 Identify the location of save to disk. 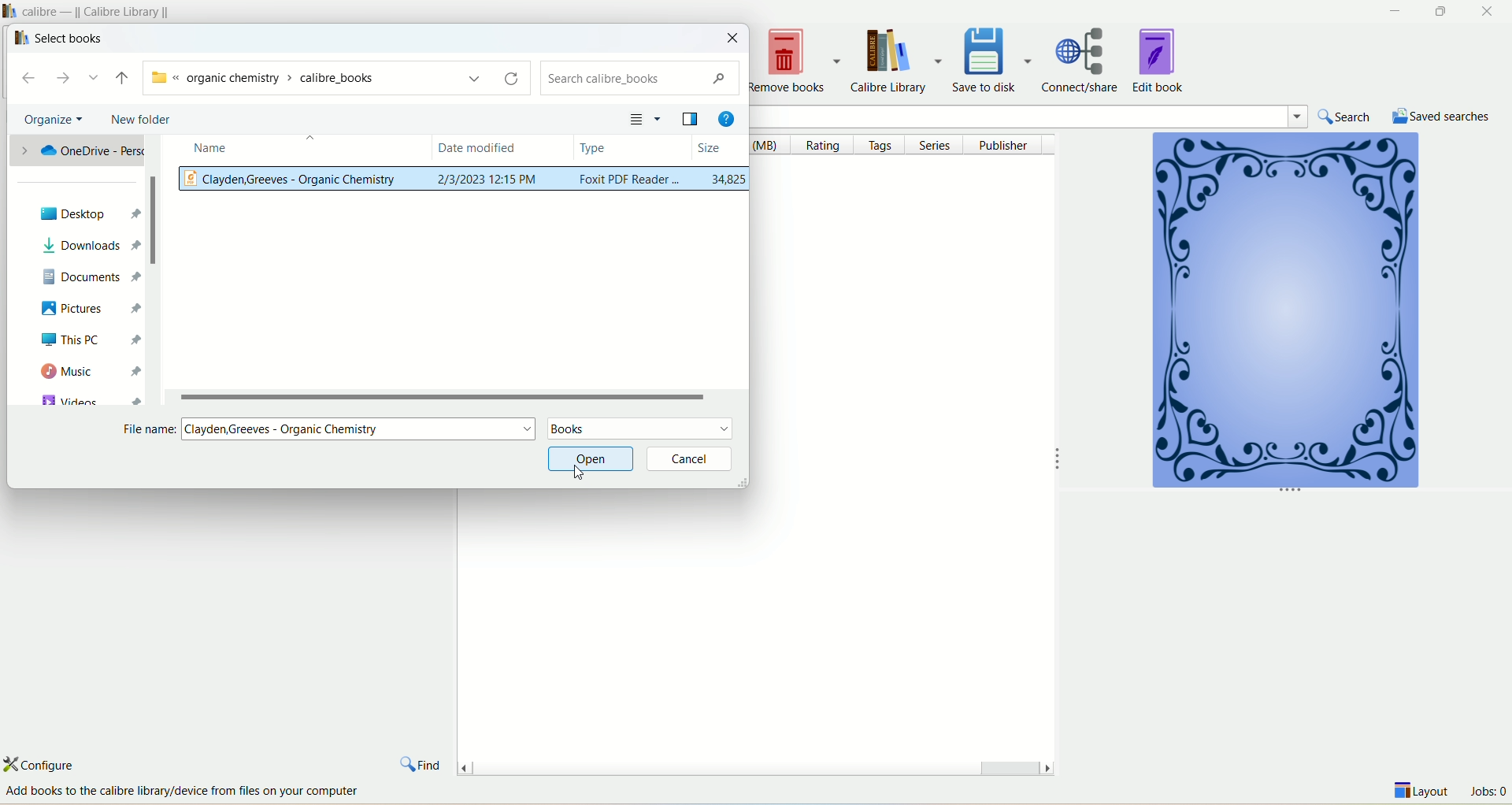
(995, 58).